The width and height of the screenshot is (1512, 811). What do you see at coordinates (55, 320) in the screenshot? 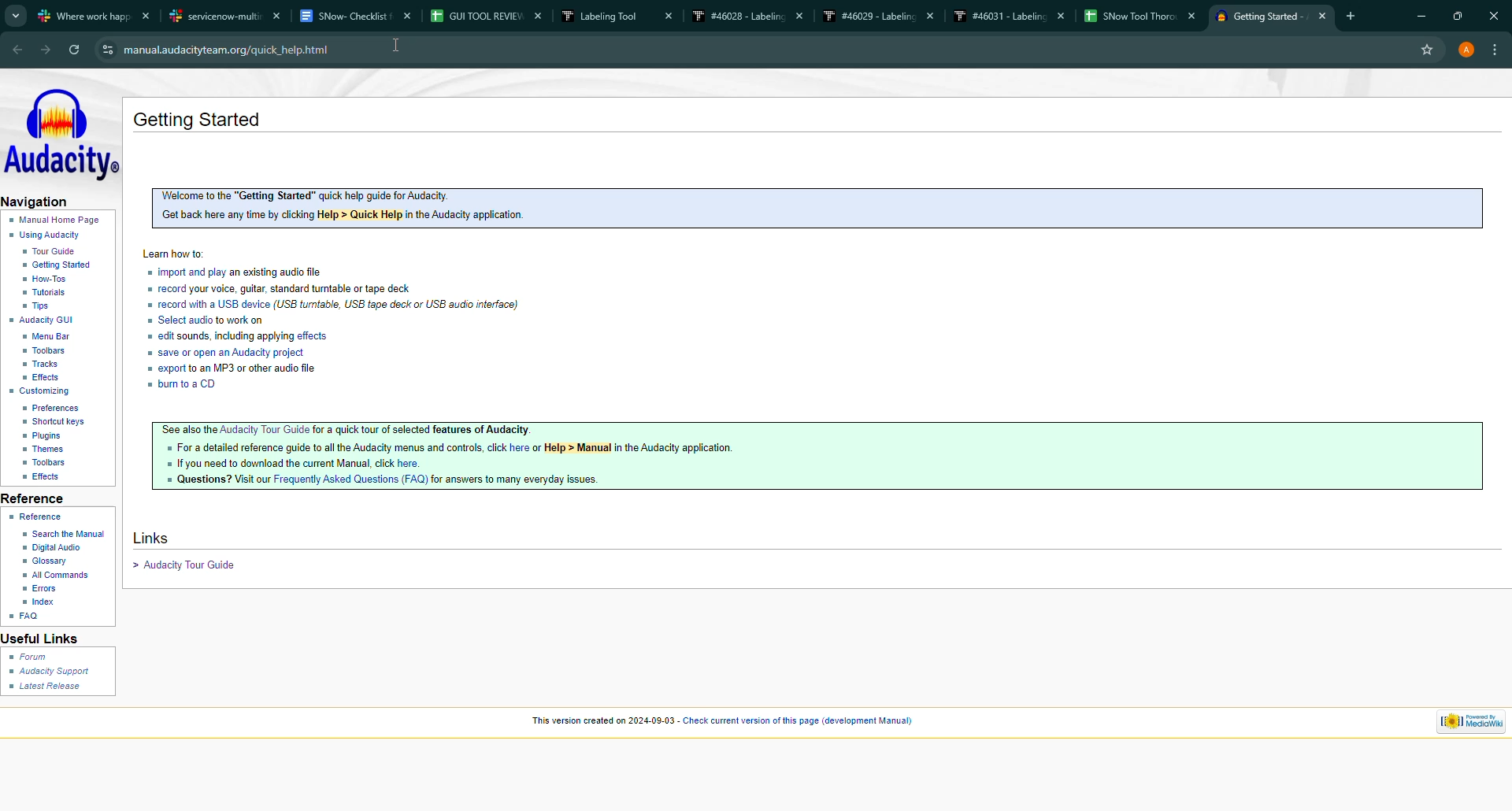
I see `gui` at bounding box center [55, 320].